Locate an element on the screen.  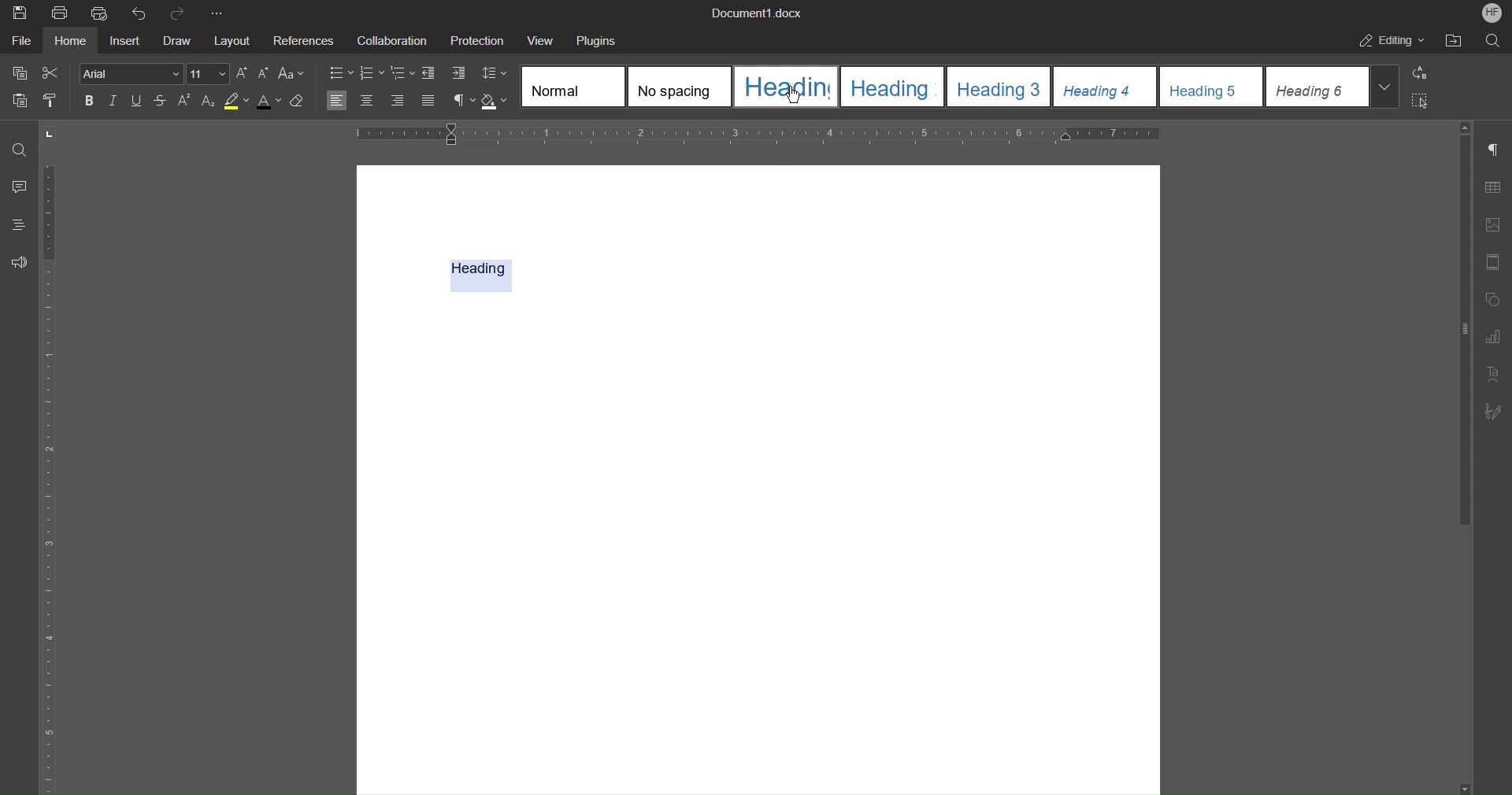
Shadow is located at coordinates (495, 102).